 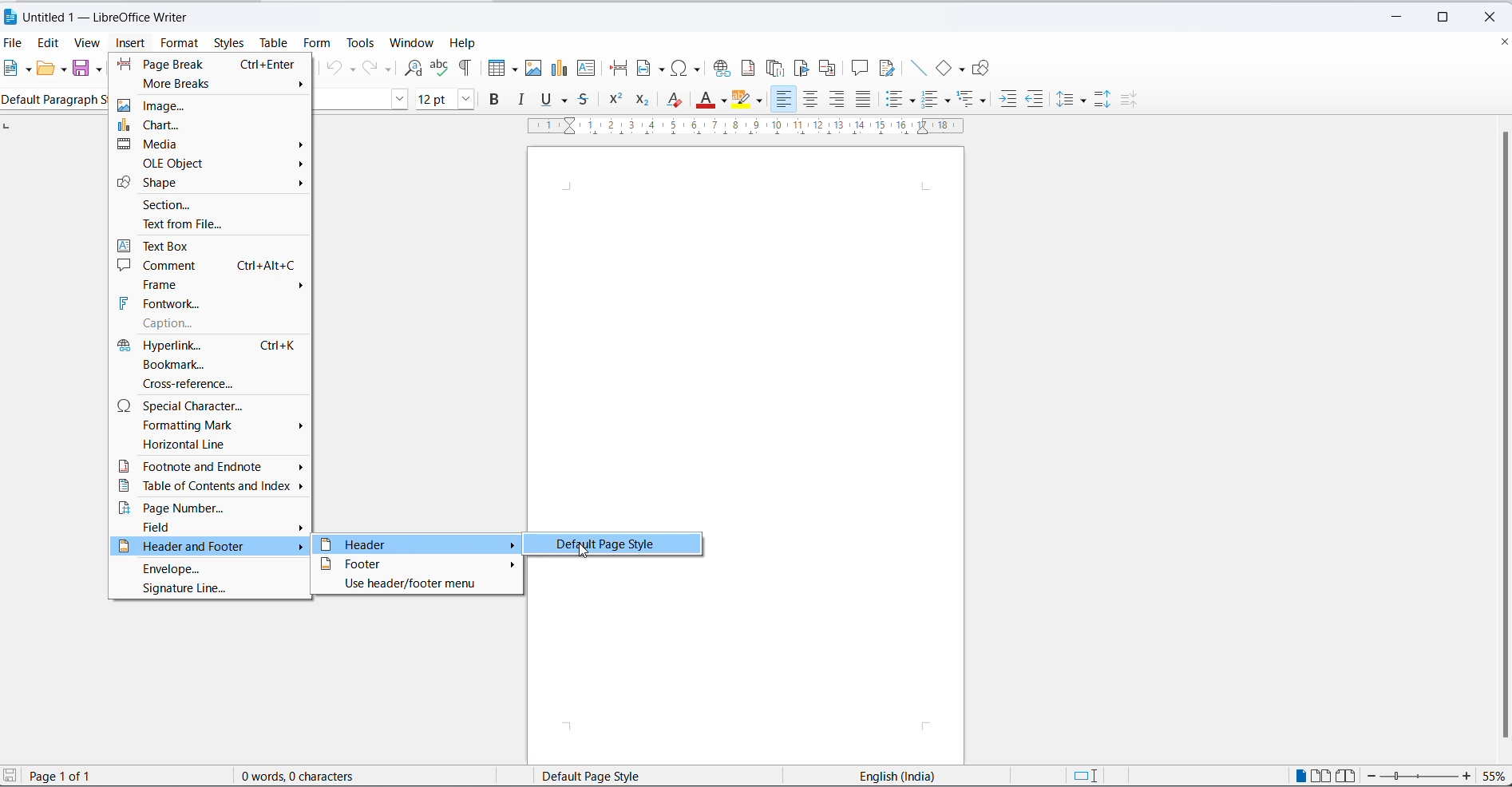 What do you see at coordinates (209, 489) in the screenshot?
I see `table of contents and index` at bounding box center [209, 489].